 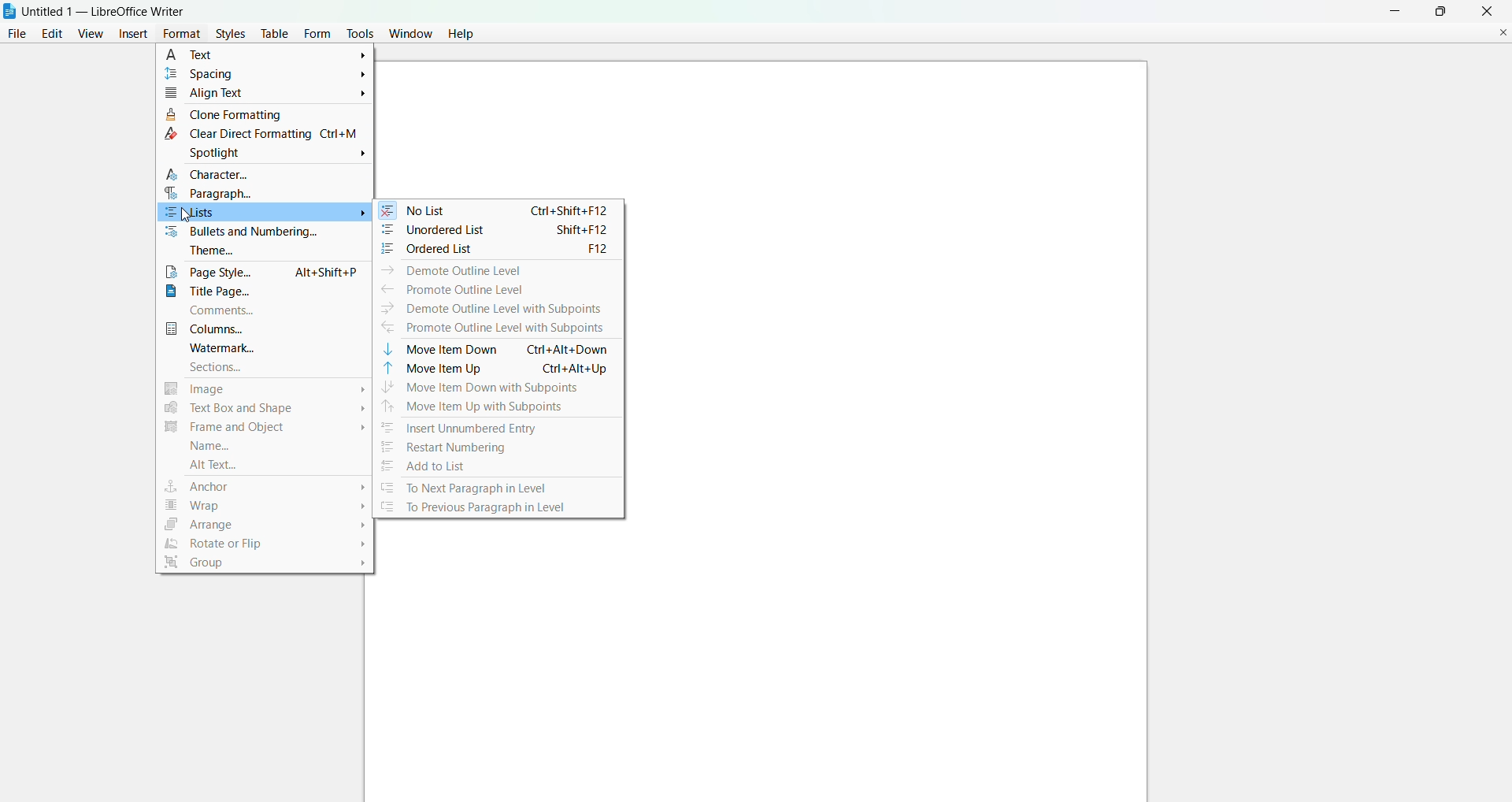 What do you see at coordinates (222, 115) in the screenshot?
I see `clone formatting` at bounding box center [222, 115].